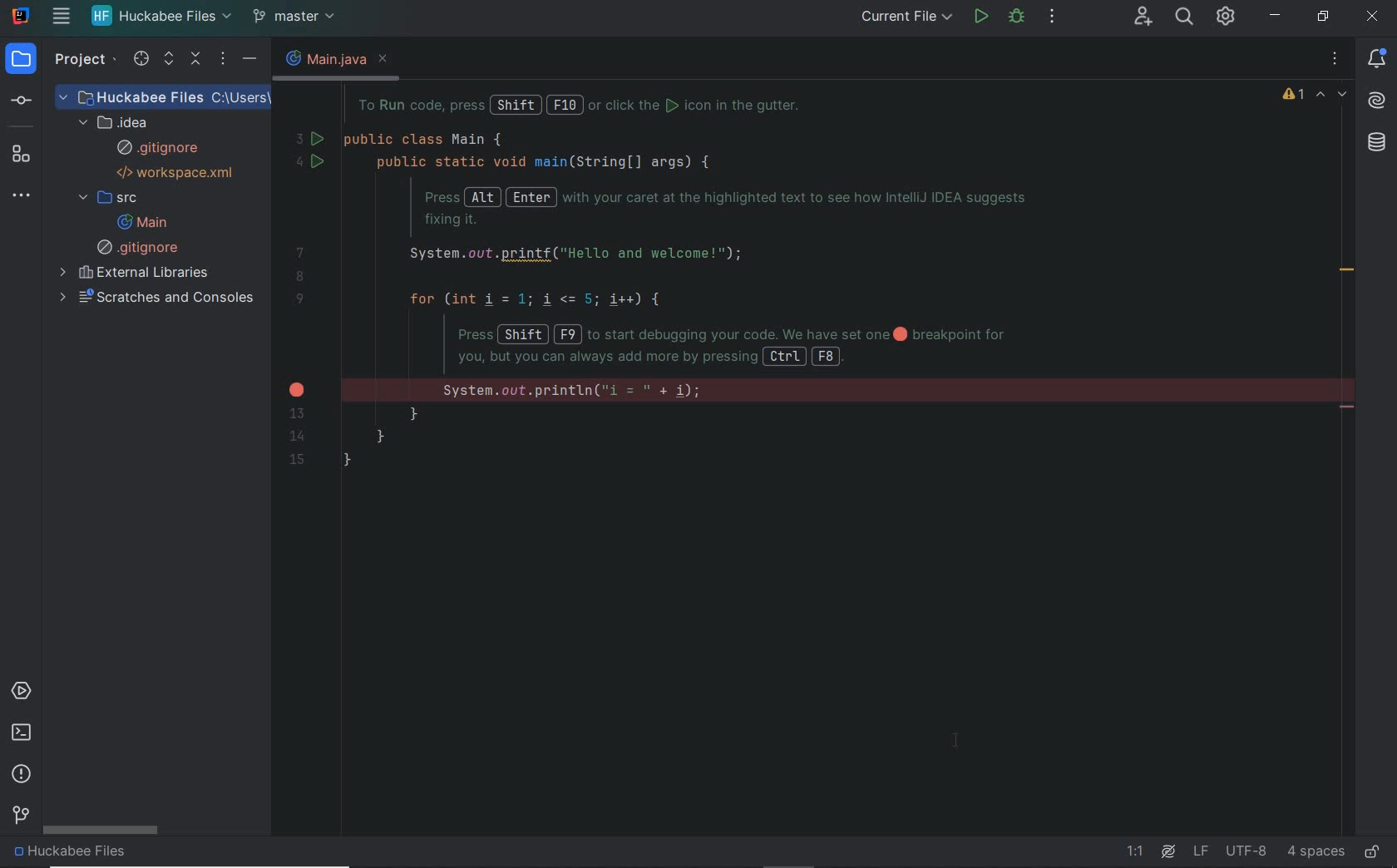  I want to click on current file, so click(910, 17).